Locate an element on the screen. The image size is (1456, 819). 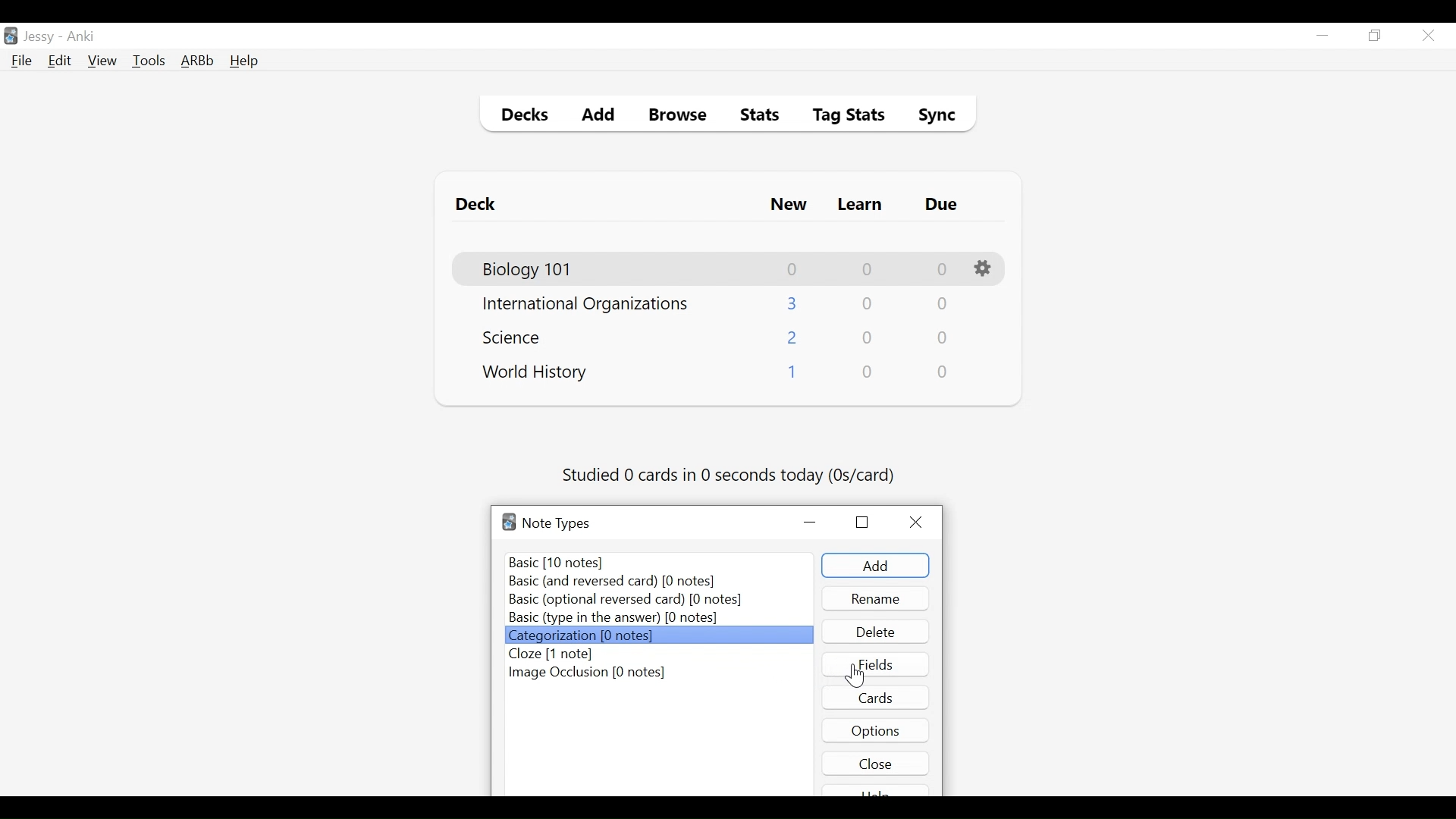
Due Card Count is located at coordinates (943, 270).